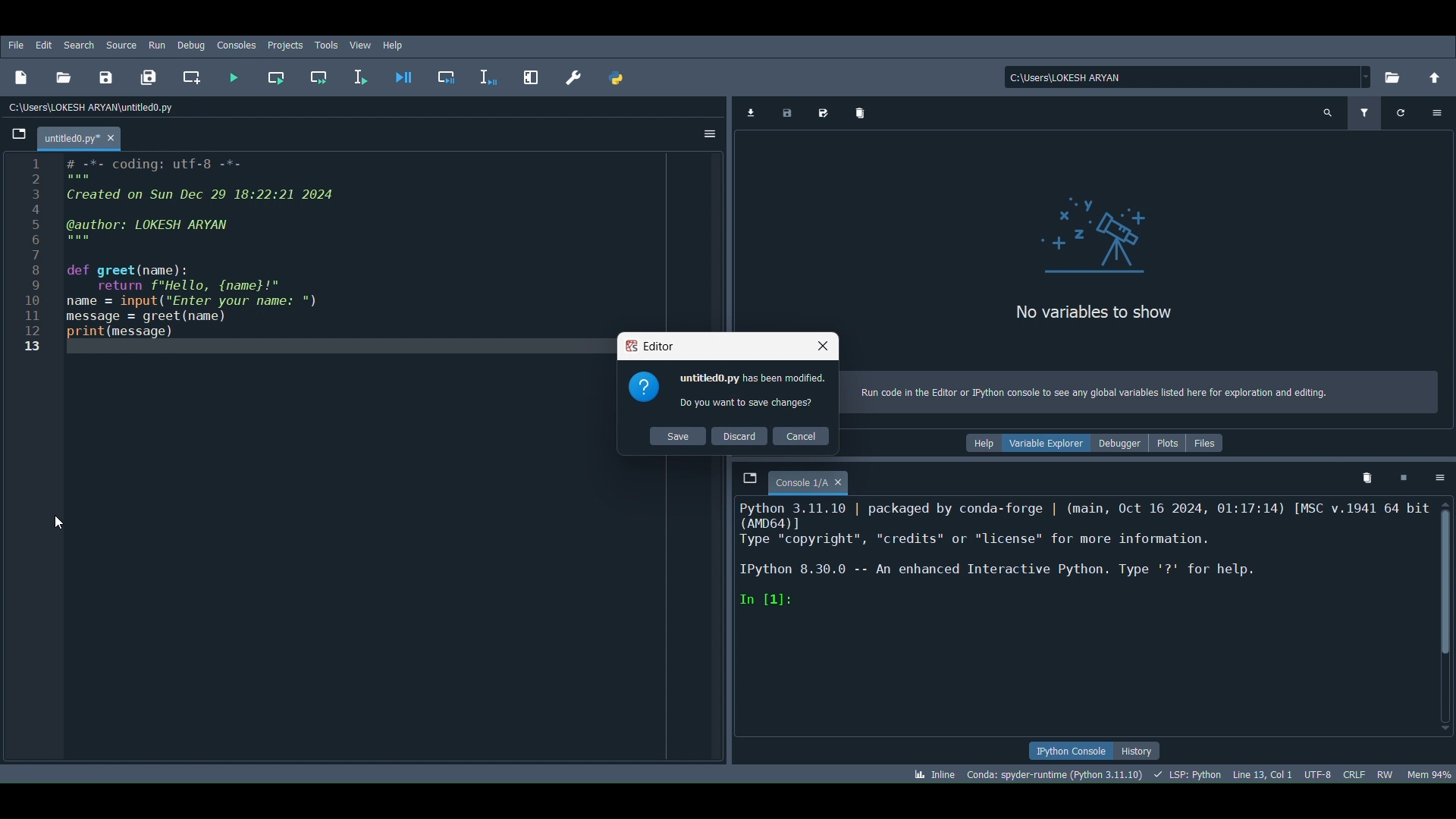  Describe the element at coordinates (1093, 234) in the screenshot. I see `Variables` at that location.